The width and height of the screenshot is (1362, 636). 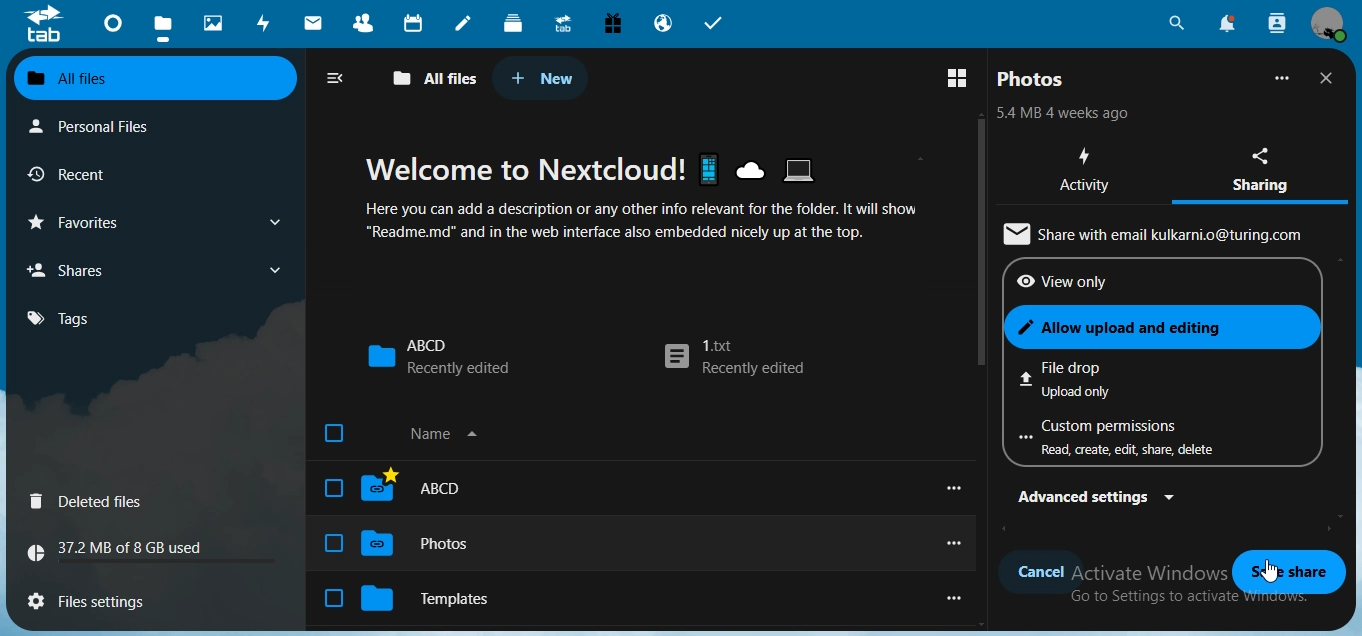 What do you see at coordinates (115, 29) in the screenshot?
I see `dashboard` at bounding box center [115, 29].